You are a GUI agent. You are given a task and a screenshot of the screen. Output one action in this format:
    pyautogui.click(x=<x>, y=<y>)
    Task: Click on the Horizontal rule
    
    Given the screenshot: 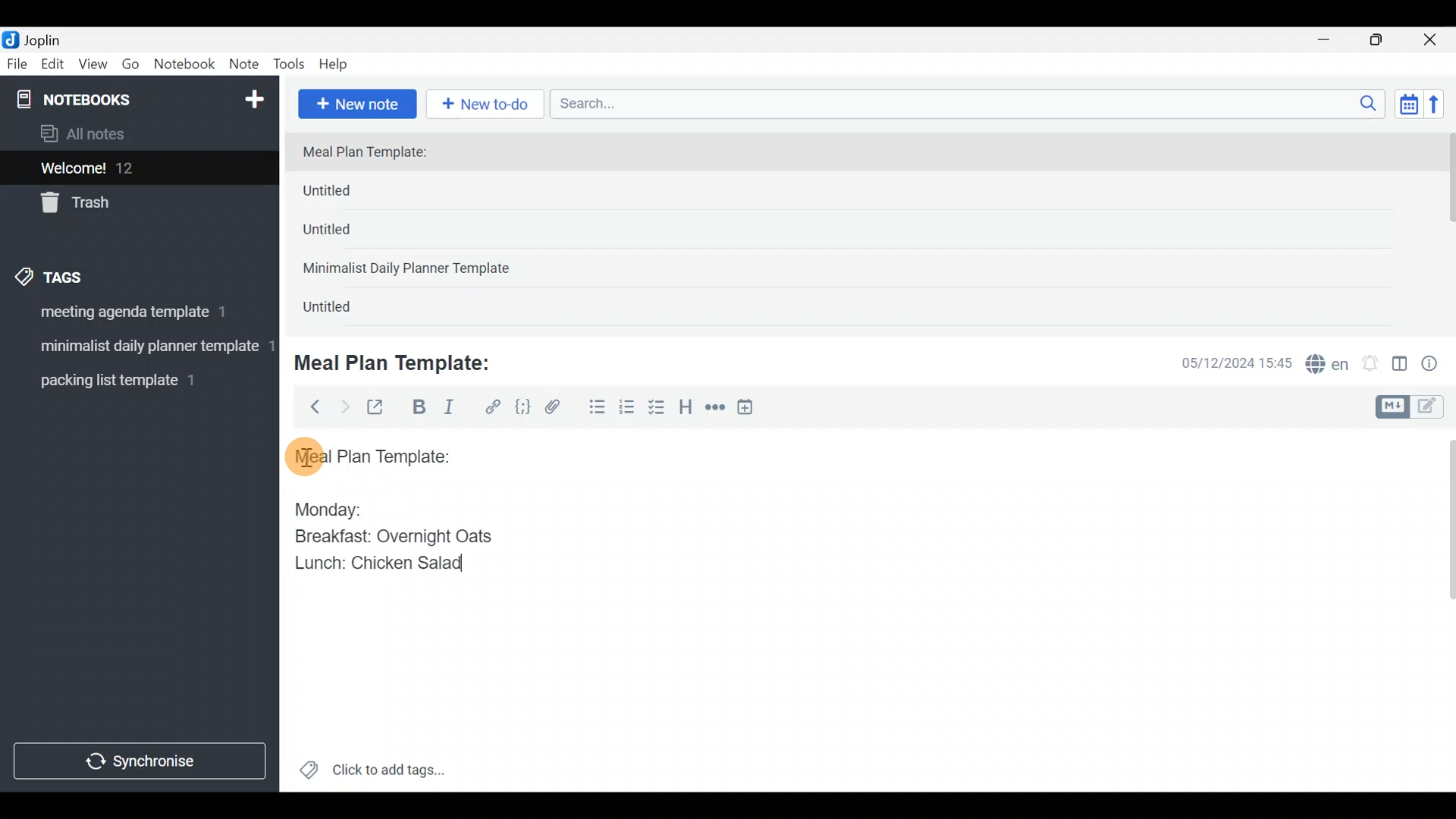 What is the action you would take?
    pyautogui.click(x=715, y=409)
    